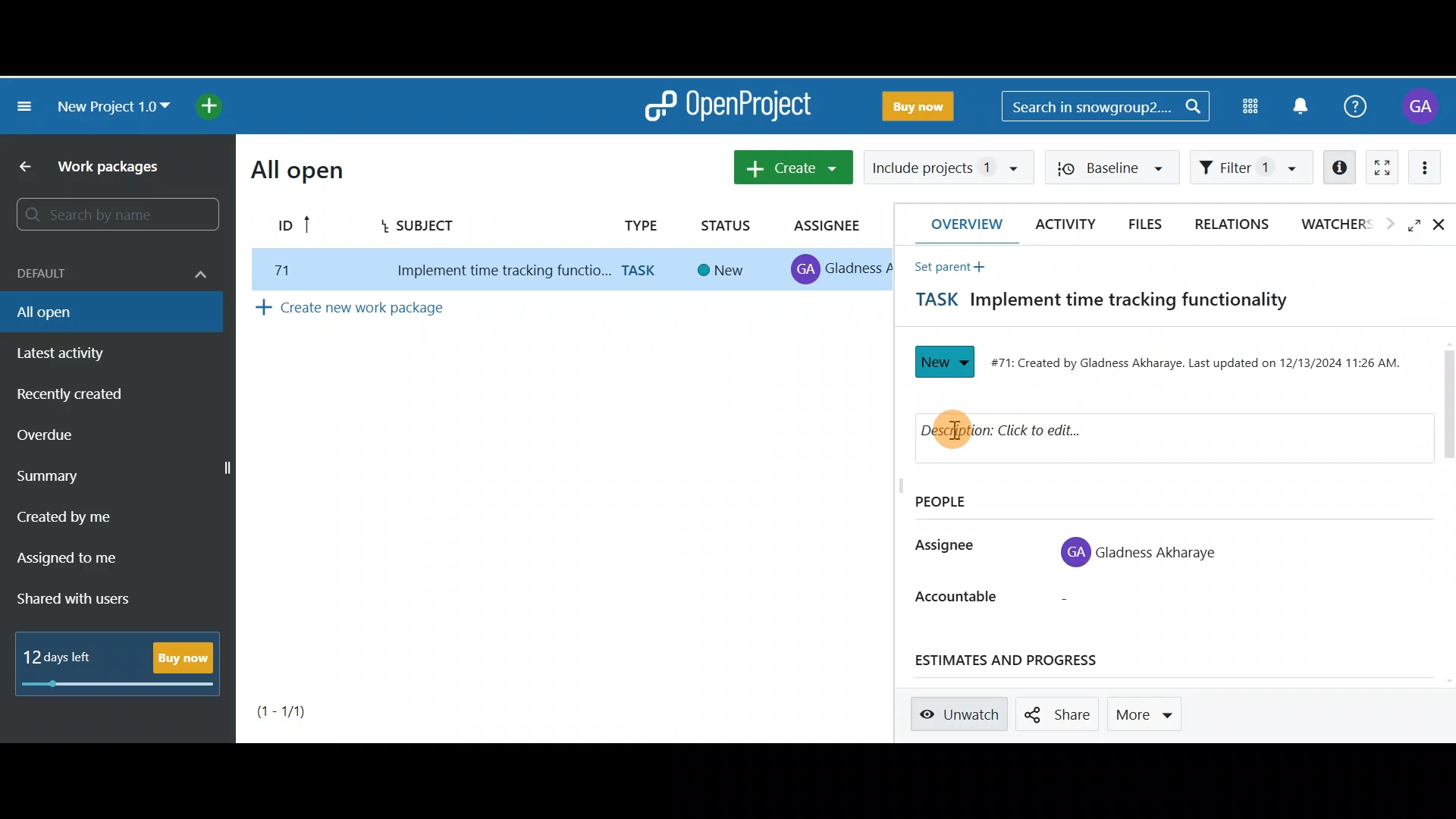 This screenshot has height=819, width=1456. Describe the element at coordinates (64, 434) in the screenshot. I see `Overdue` at that location.